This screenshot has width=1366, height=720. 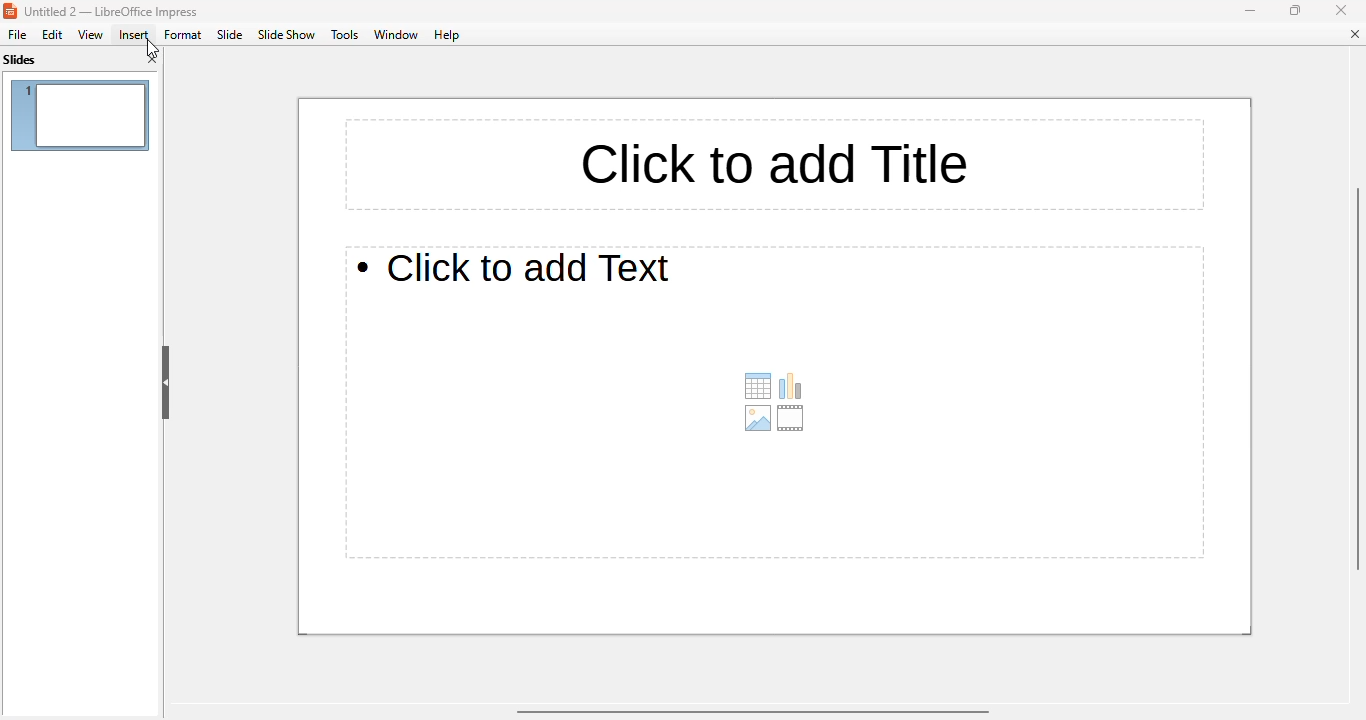 What do you see at coordinates (152, 59) in the screenshot?
I see `close pane` at bounding box center [152, 59].